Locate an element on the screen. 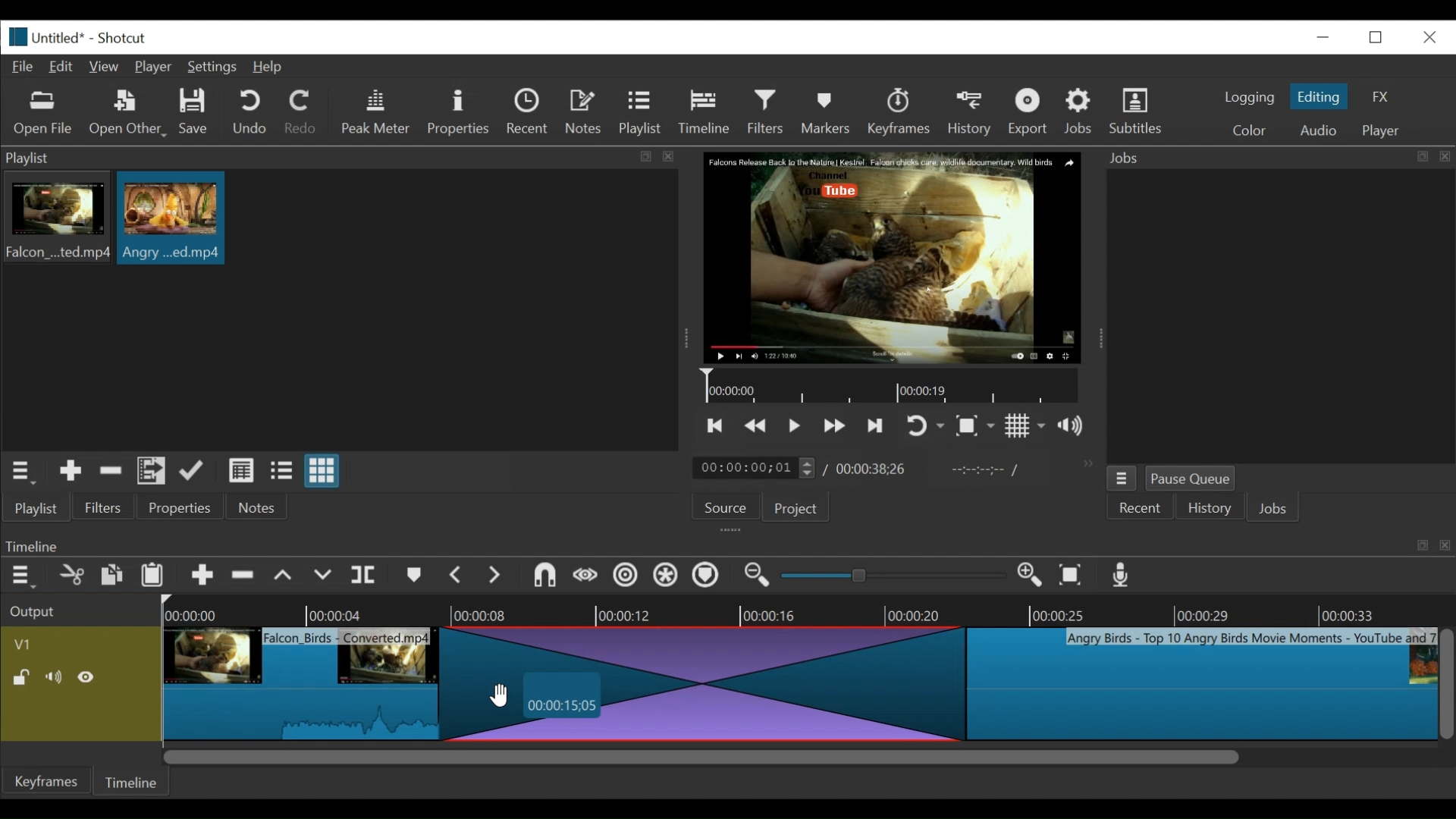  Notes is located at coordinates (586, 112).